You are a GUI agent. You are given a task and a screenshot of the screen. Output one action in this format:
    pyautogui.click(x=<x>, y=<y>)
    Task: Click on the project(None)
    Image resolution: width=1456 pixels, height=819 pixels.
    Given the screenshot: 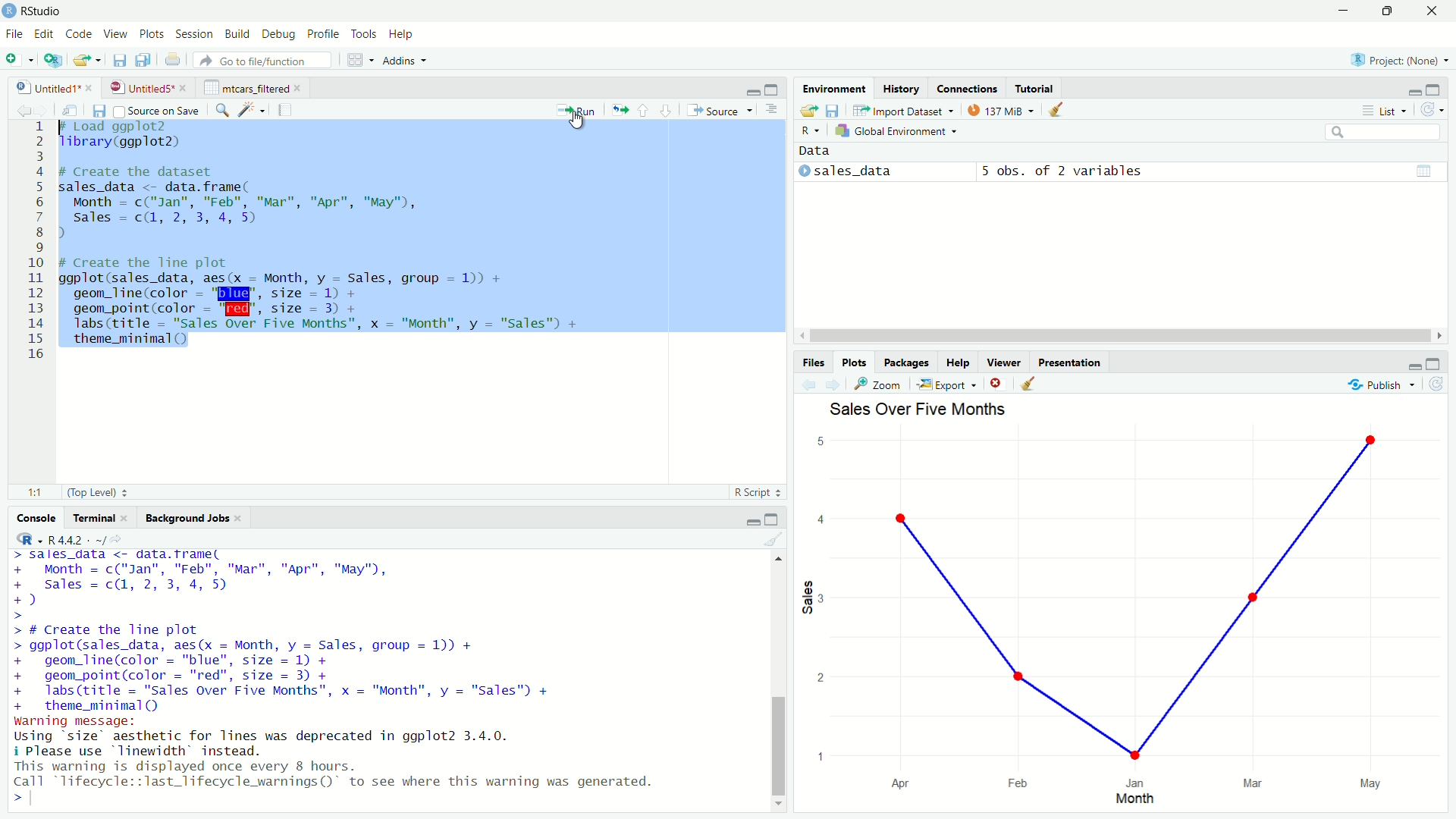 What is the action you would take?
    pyautogui.click(x=1394, y=60)
    